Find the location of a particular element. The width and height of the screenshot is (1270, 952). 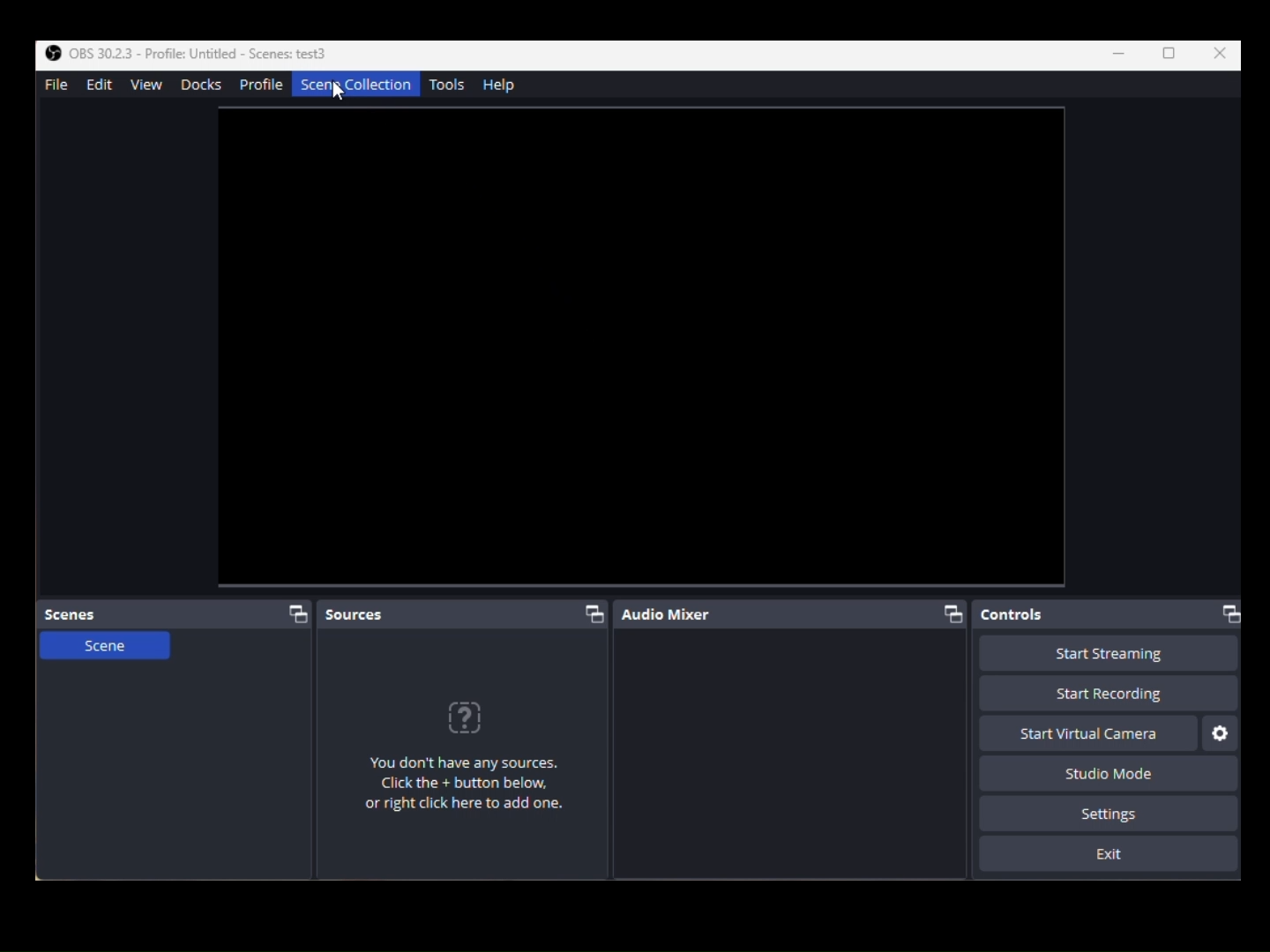

Help is located at coordinates (504, 85).